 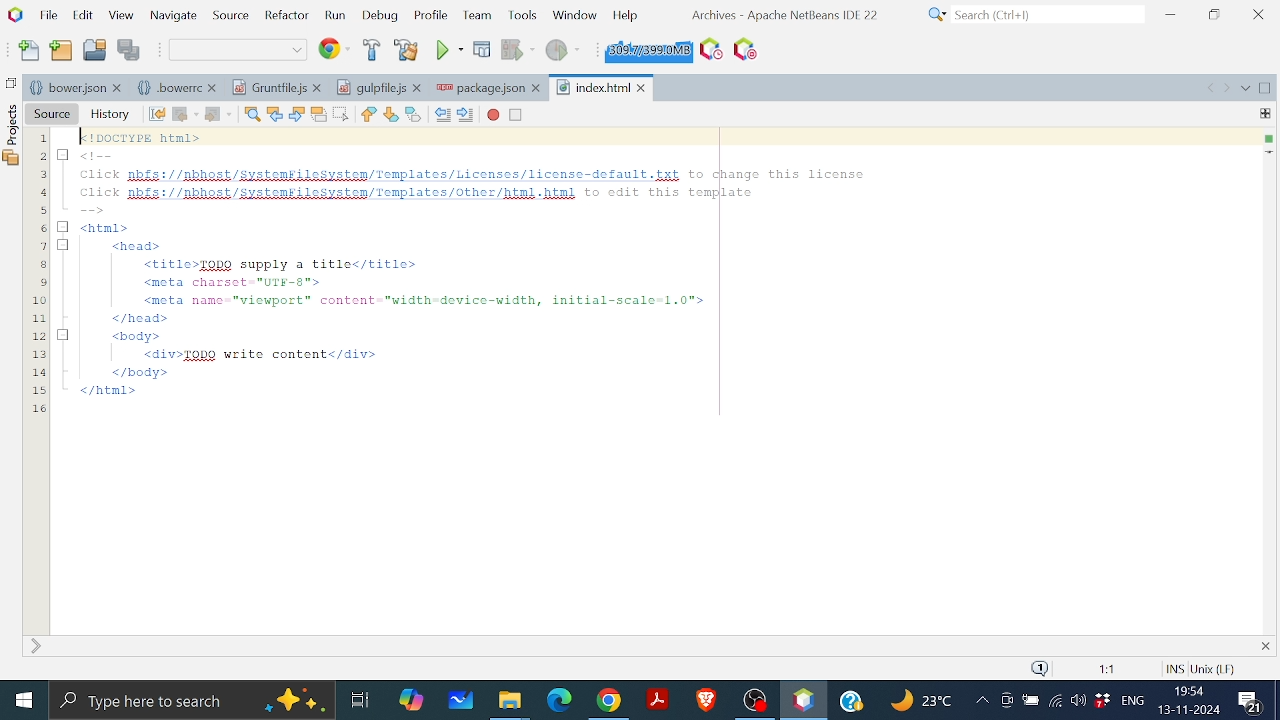 What do you see at coordinates (95, 53) in the screenshot?
I see `Open project` at bounding box center [95, 53].